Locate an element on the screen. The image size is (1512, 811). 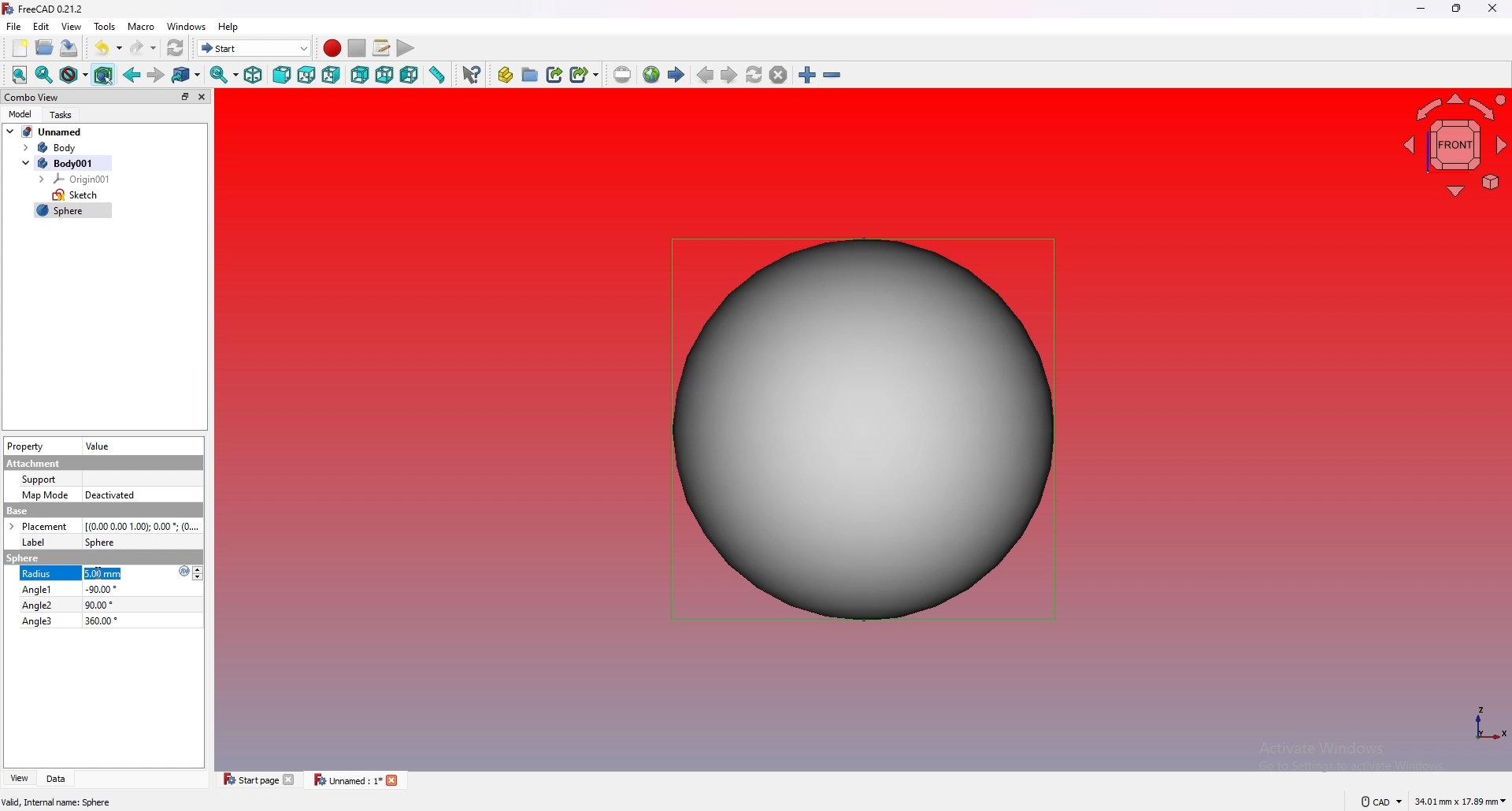
unnamed is located at coordinates (46, 131).